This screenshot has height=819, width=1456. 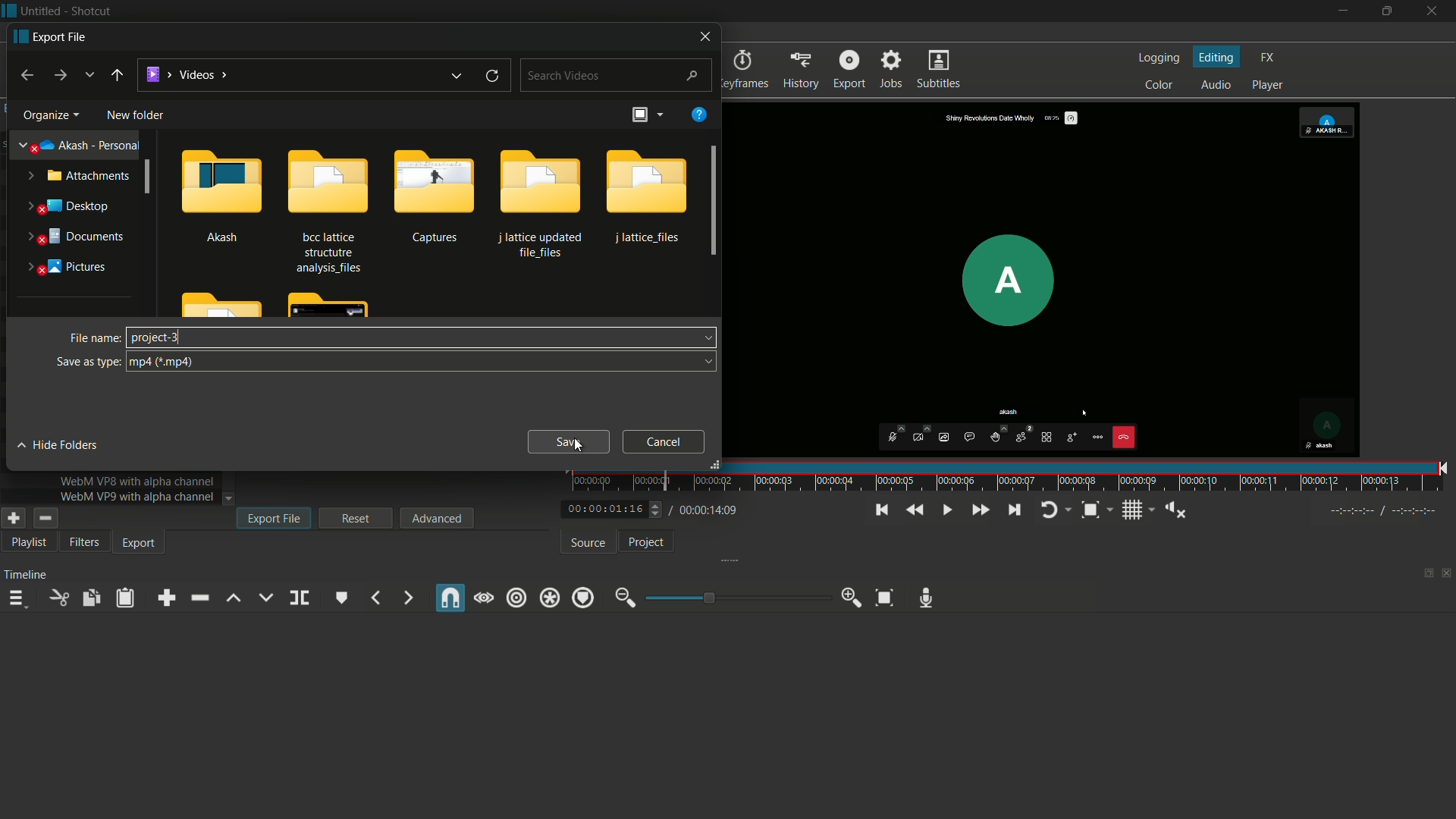 What do you see at coordinates (880, 510) in the screenshot?
I see `skip to the previous point` at bounding box center [880, 510].